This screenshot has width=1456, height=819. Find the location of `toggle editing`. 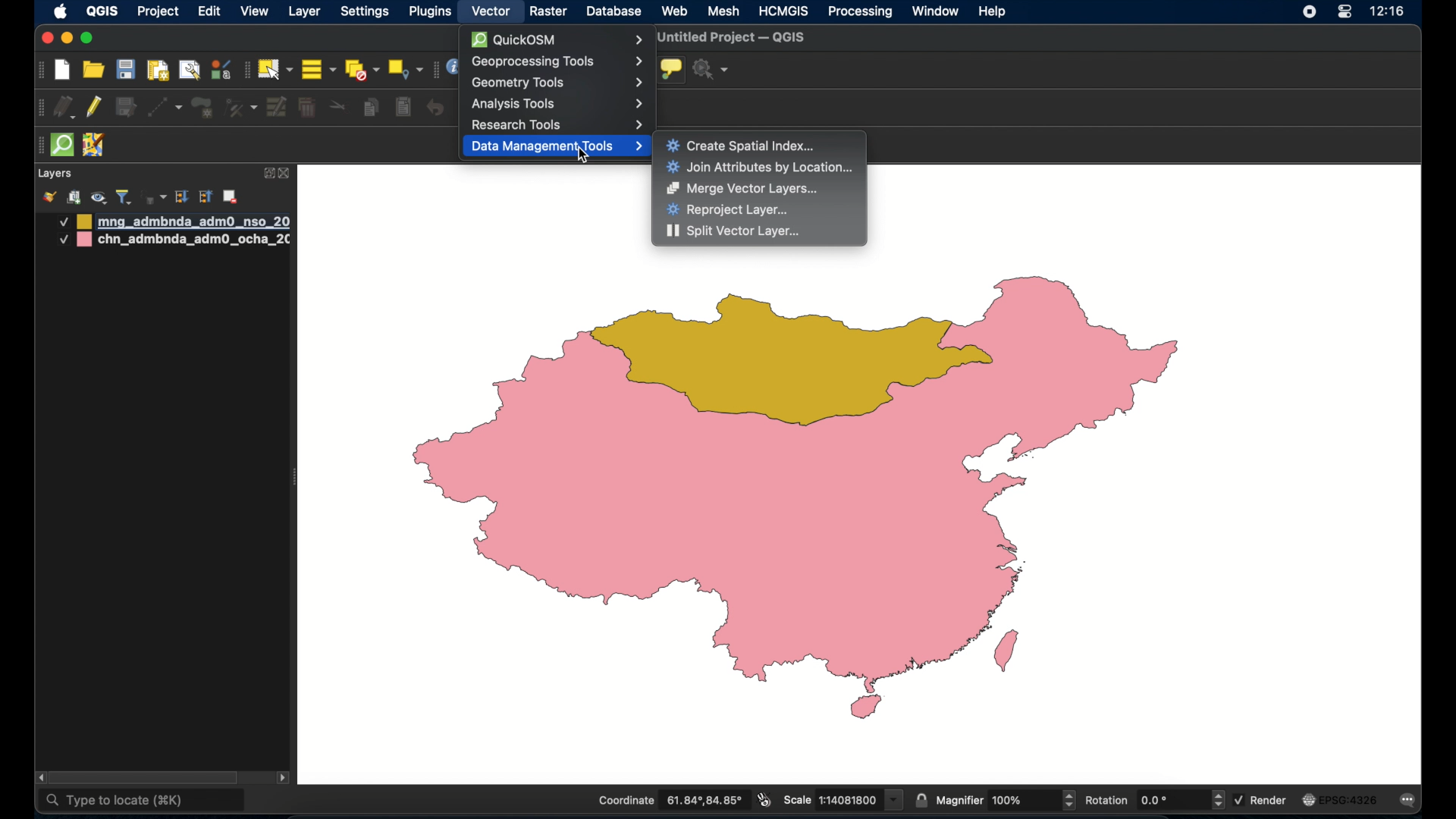

toggle editing is located at coordinates (95, 108).